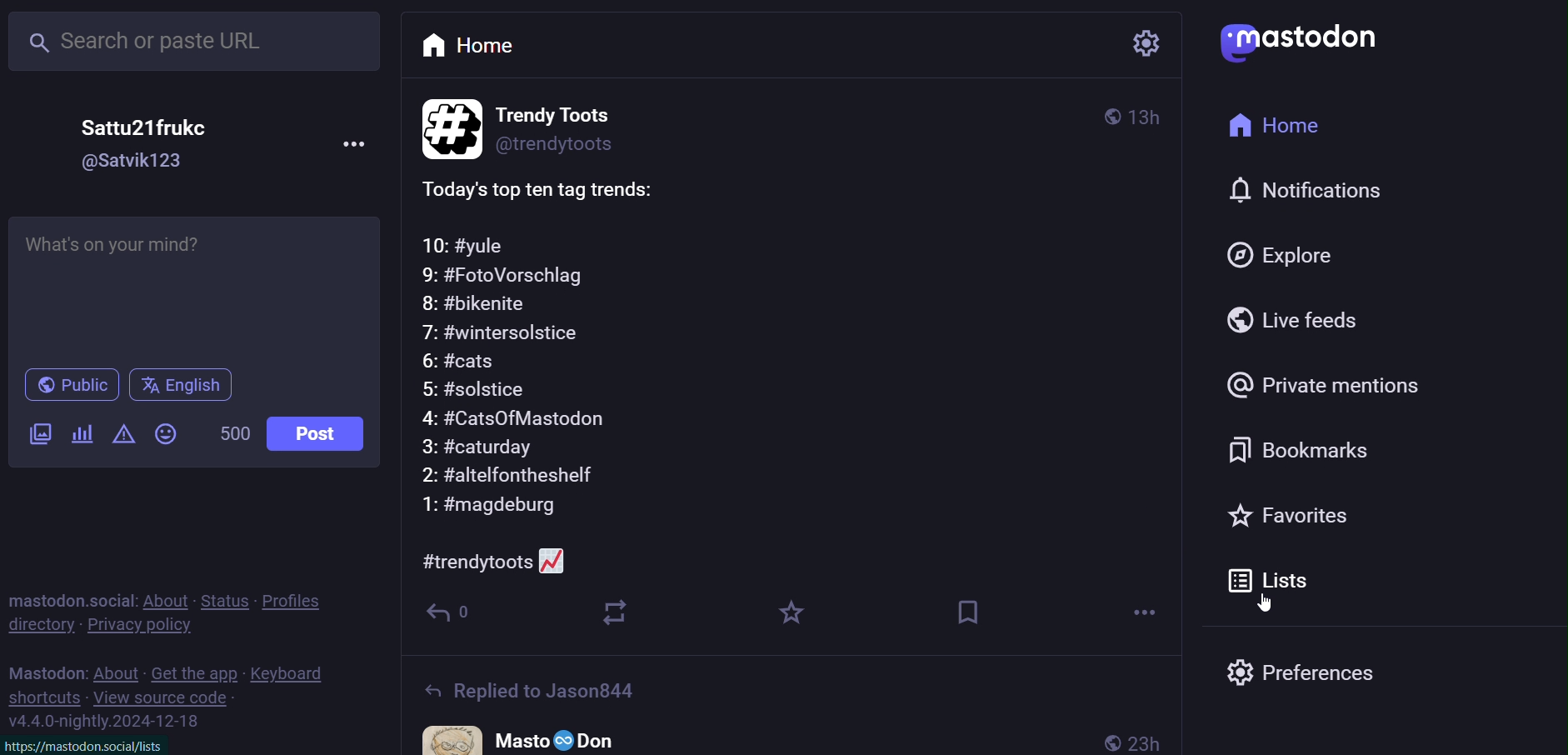 The image size is (1568, 755). I want to click on public, so click(1111, 739).